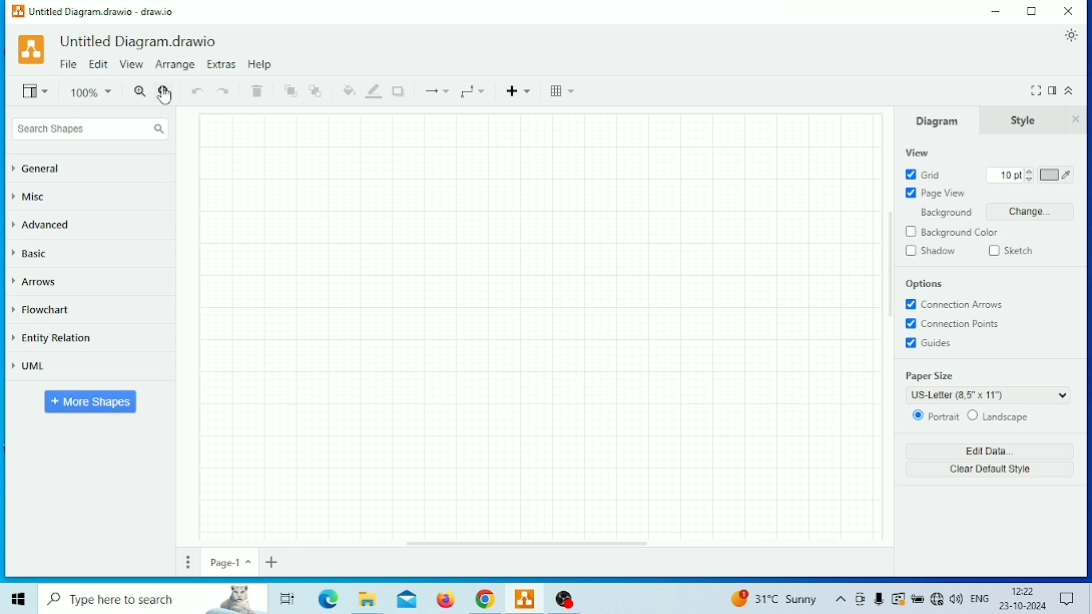  Describe the element at coordinates (934, 416) in the screenshot. I see `Portrait` at that location.